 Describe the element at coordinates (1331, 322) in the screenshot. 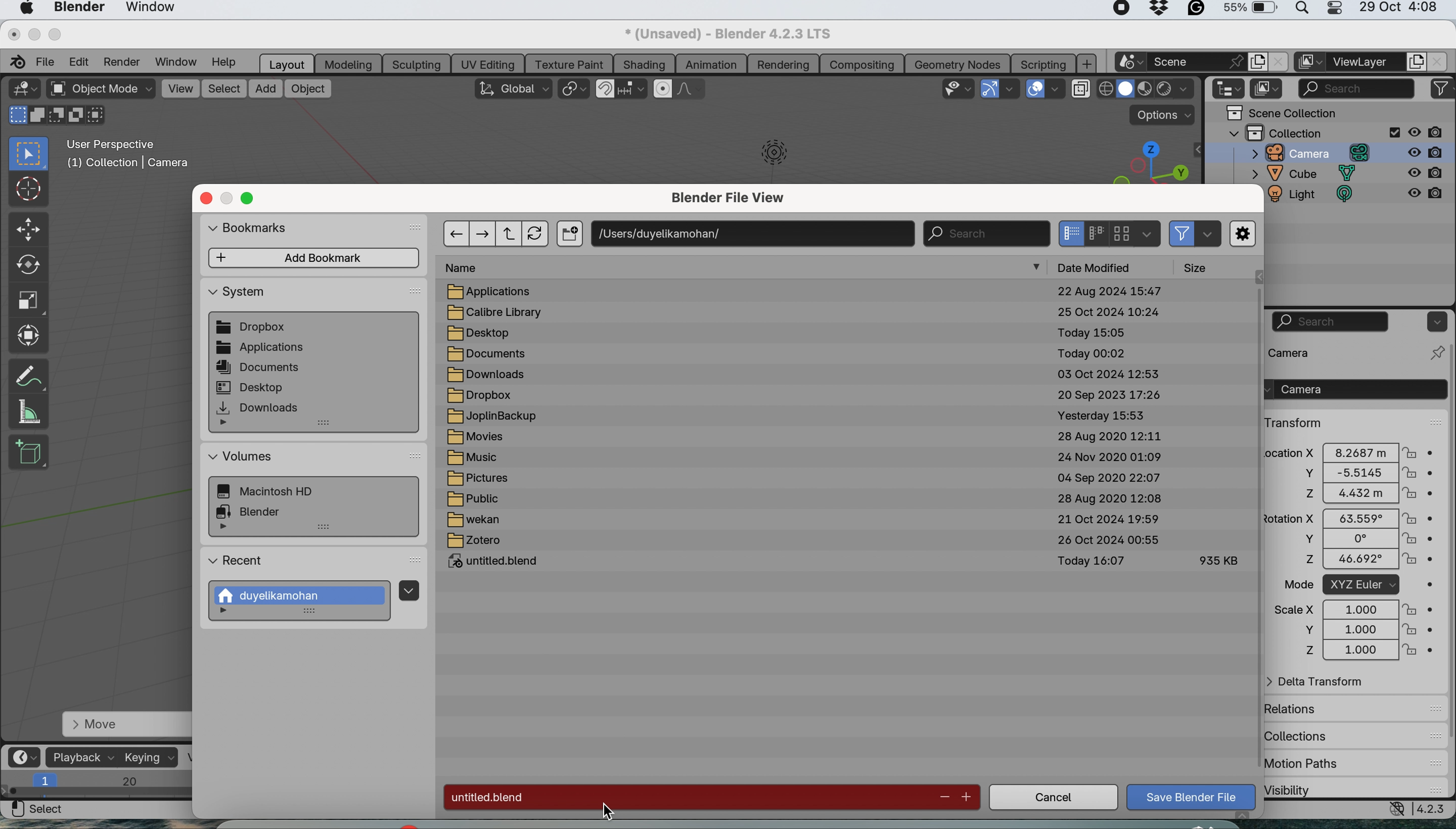

I see `search` at that location.